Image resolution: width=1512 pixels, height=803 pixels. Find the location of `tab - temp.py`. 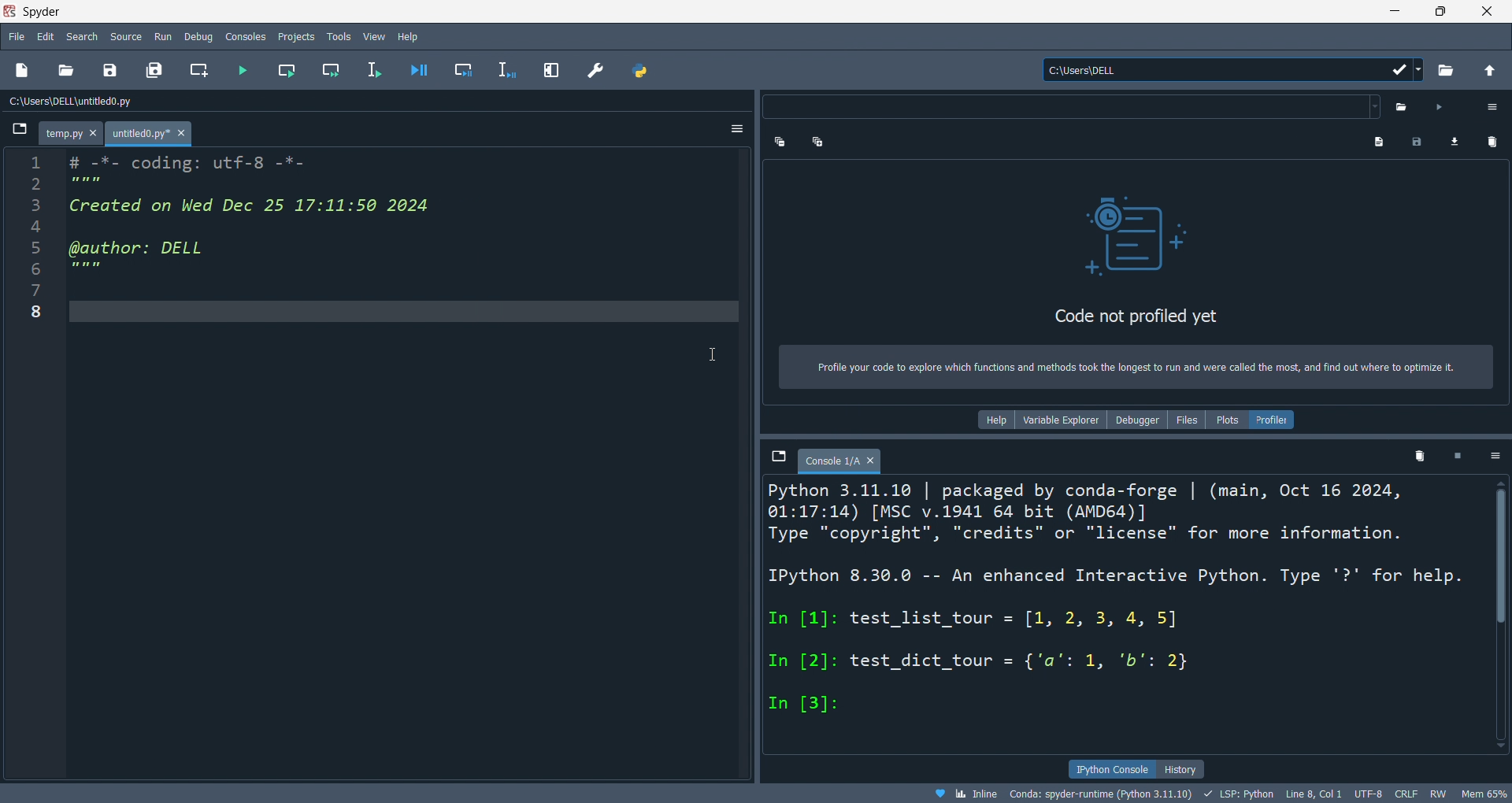

tab - temp.py is located at coordinates (70, 134).